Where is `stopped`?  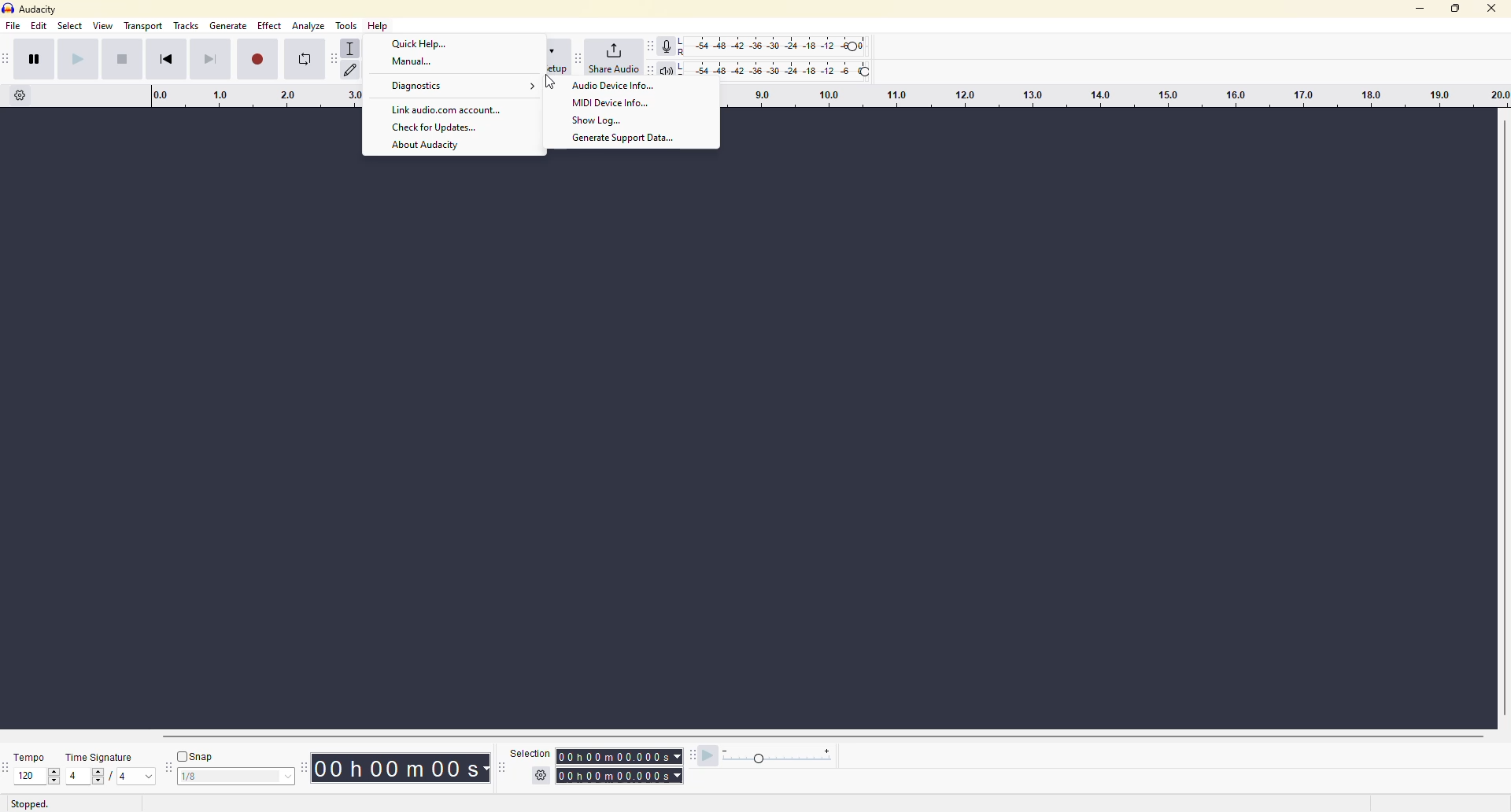
stopped is located at coordinates (33, 804).